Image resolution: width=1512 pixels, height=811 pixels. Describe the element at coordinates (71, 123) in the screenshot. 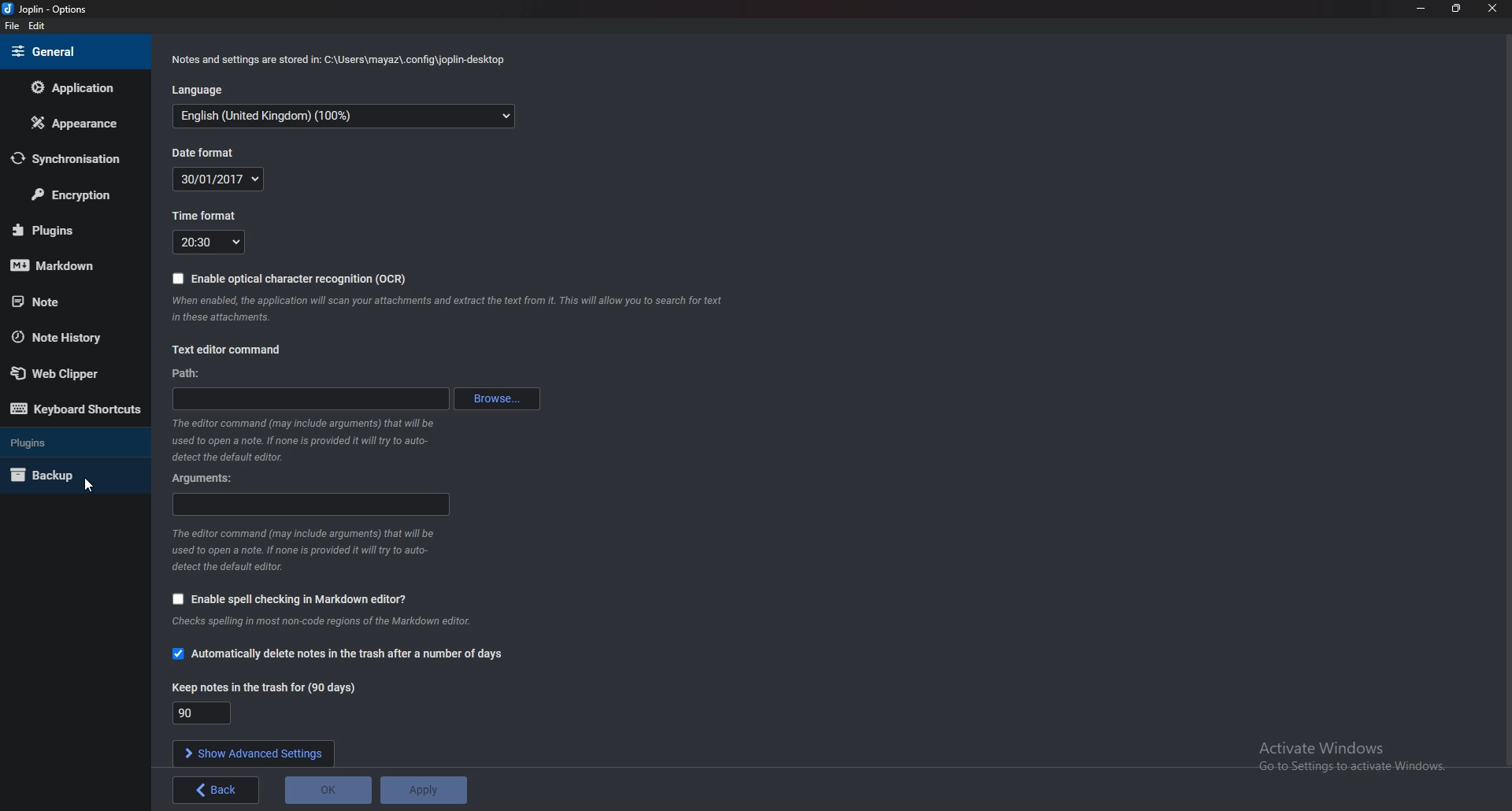

I see `Appearance` at that location.